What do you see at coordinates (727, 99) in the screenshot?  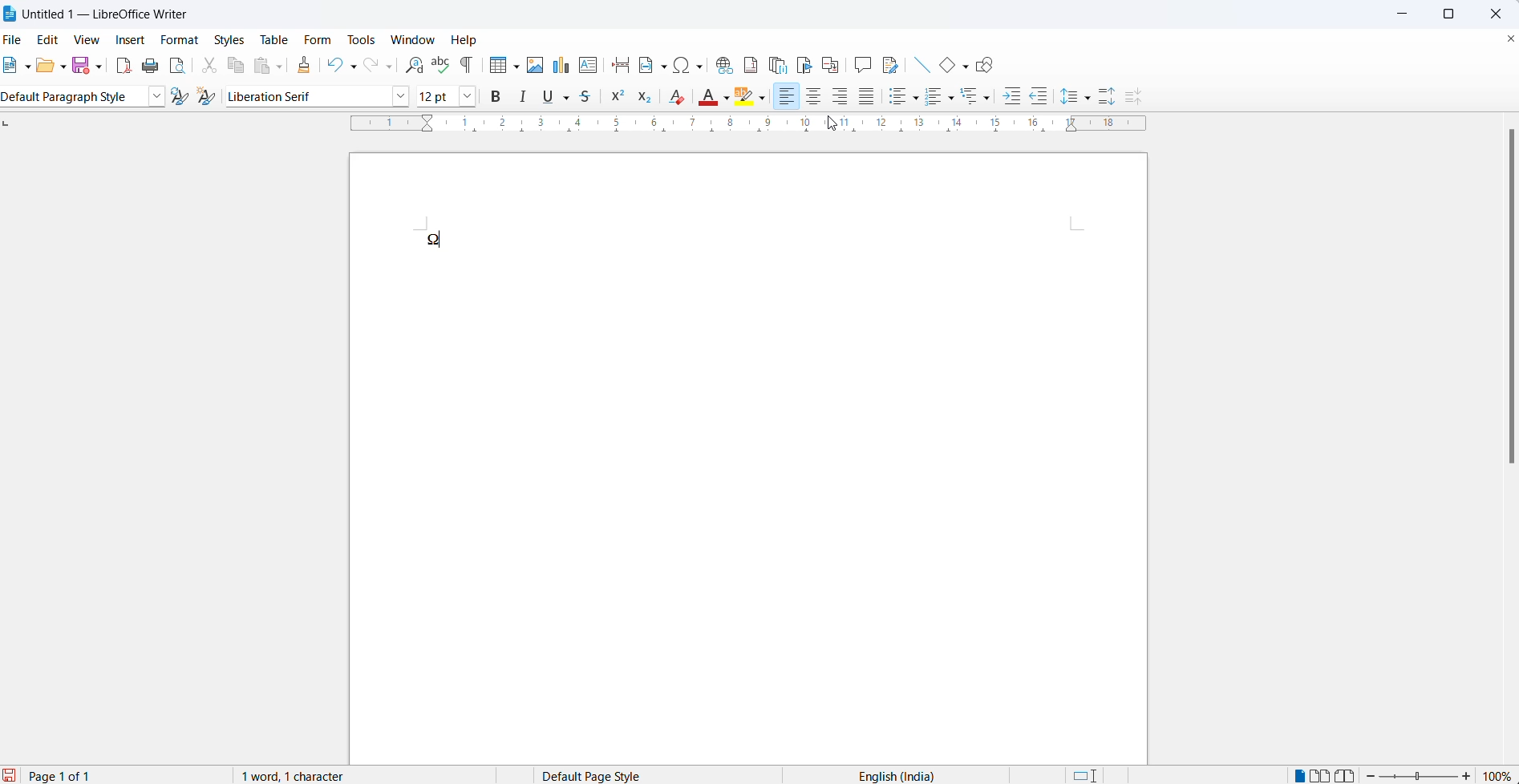 I see `font color options` at bounding box center [727, 99].